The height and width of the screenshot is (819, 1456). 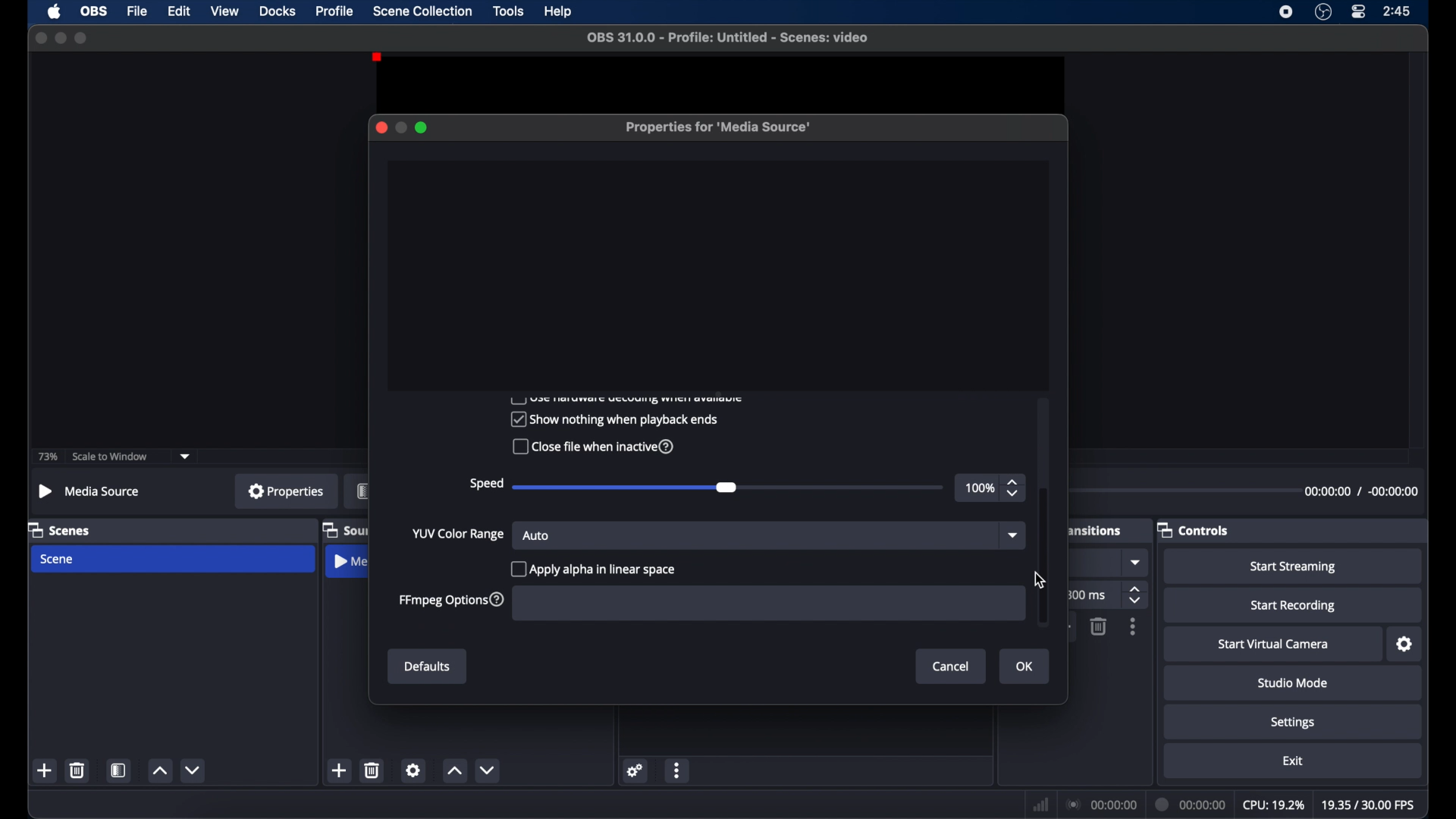 What do you see at coordinates (82, 39) in the screenshot?
I see `maximize` at bounding box center [82, 39].